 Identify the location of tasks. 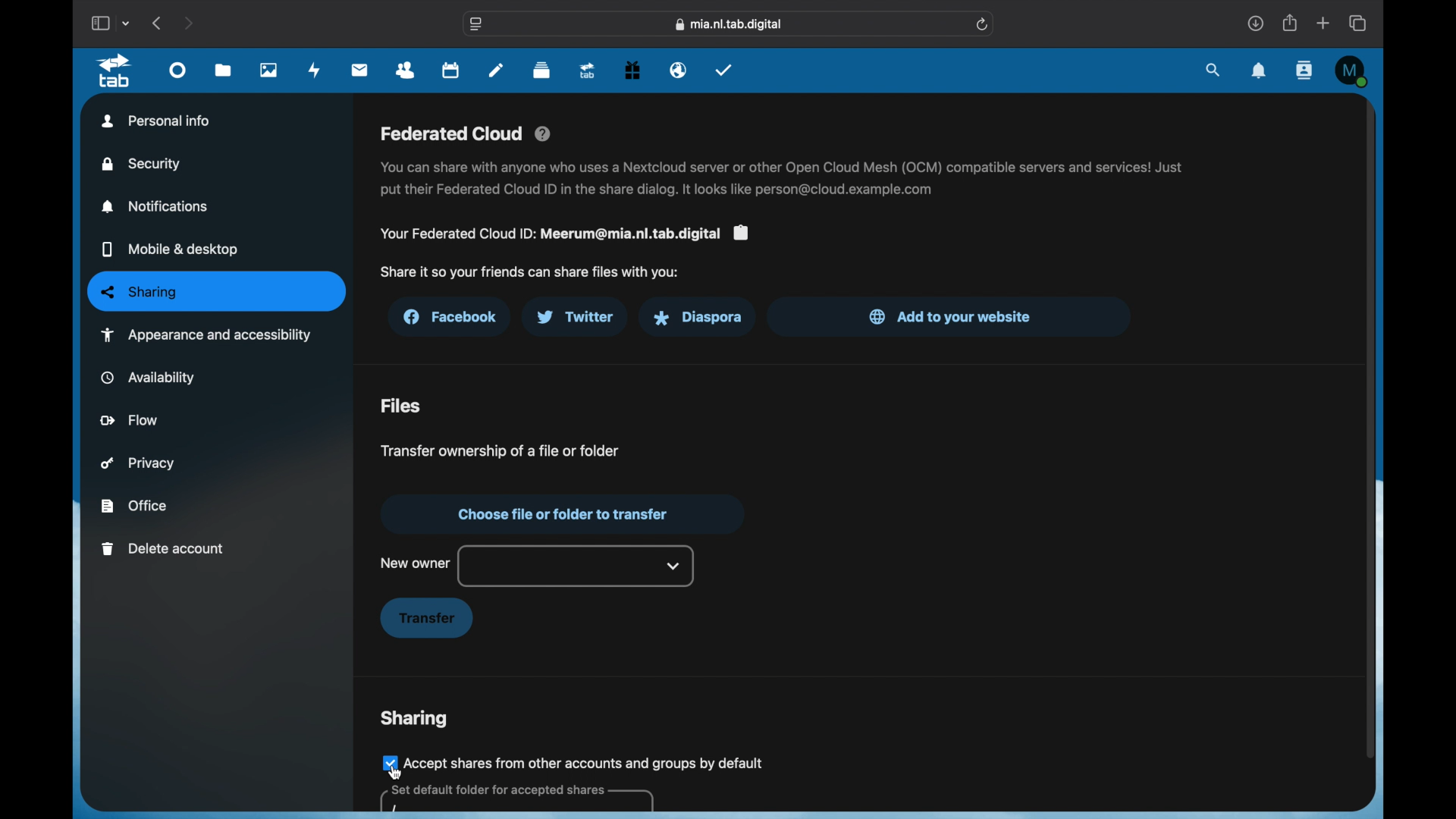
(724, 69).